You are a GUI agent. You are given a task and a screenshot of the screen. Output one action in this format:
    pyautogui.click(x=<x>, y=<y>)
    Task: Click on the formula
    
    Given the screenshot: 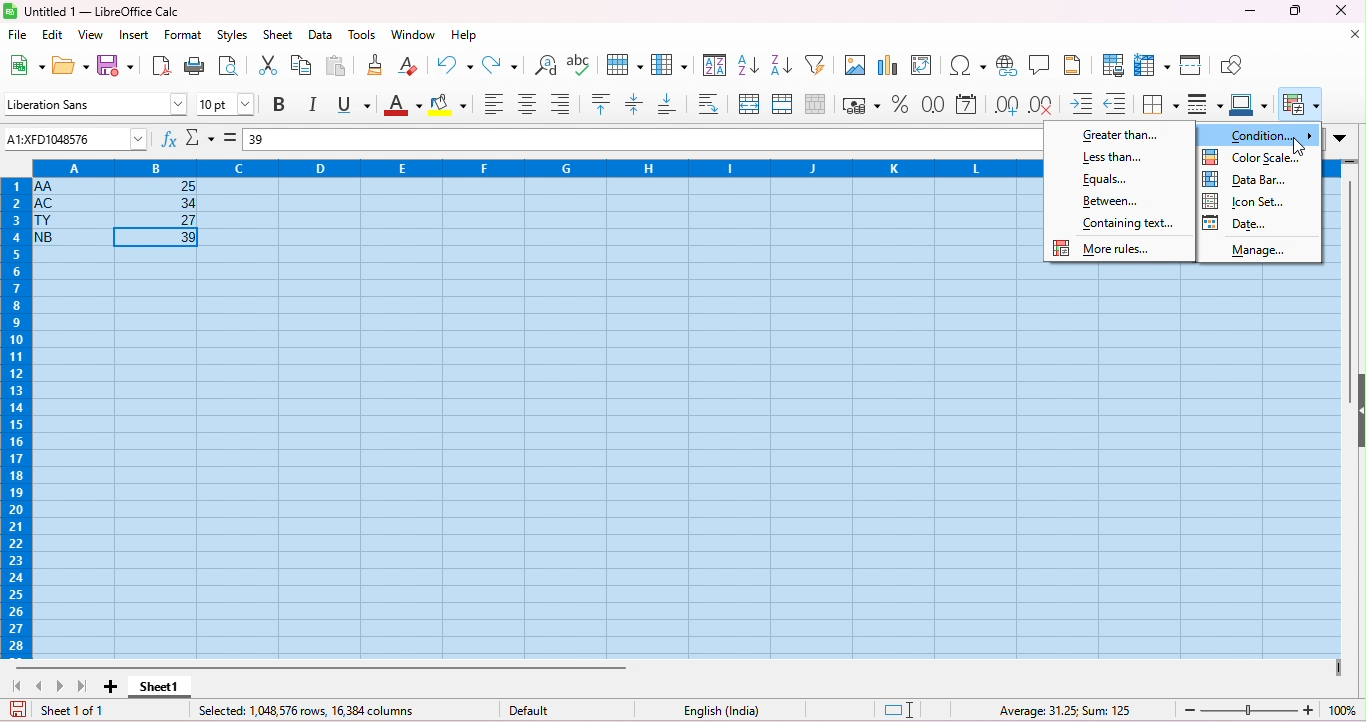 What is the action you would take?
    pyautogui.click(x=1066, y=712)
    